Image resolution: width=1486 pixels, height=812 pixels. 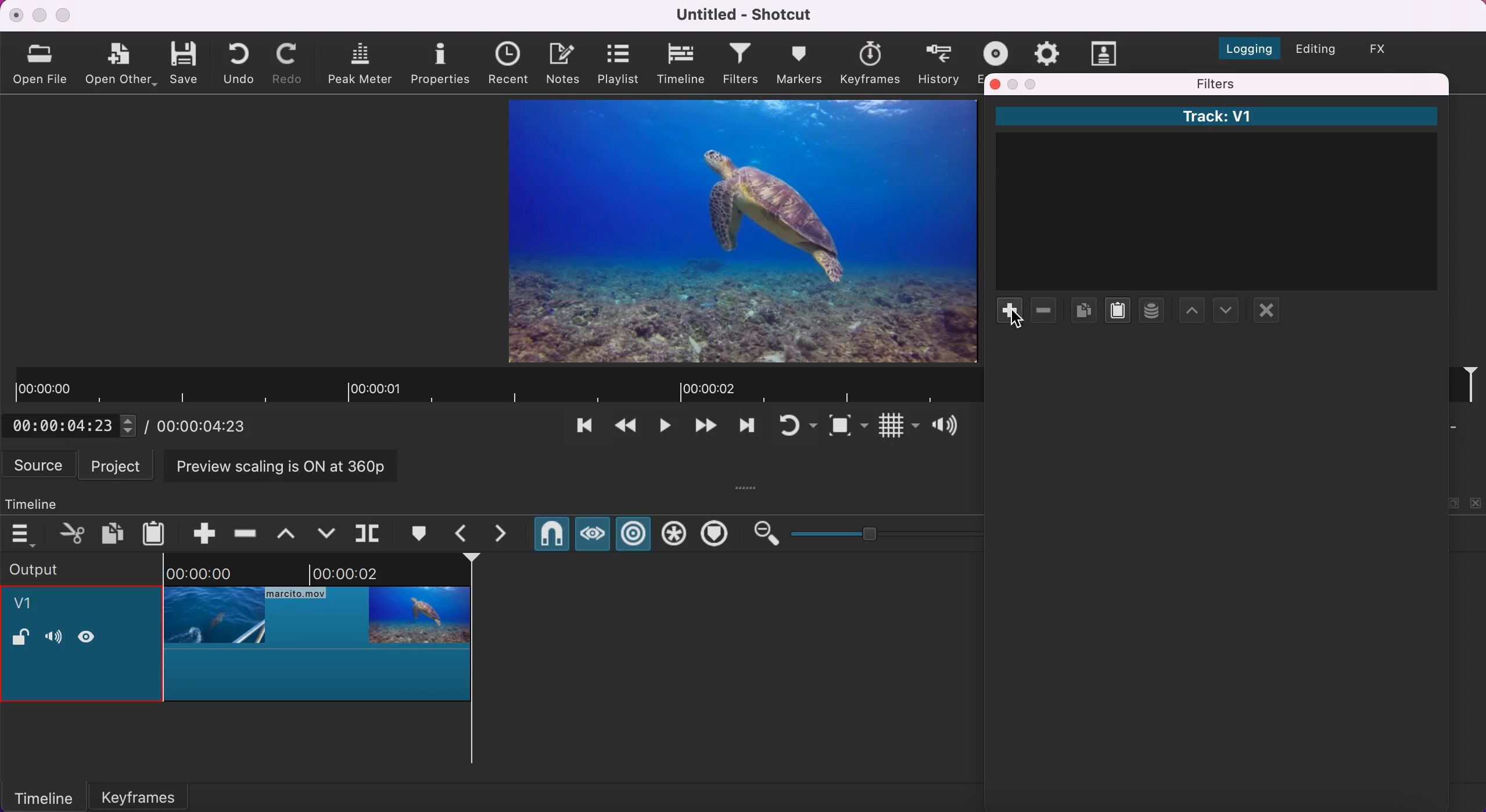 I want to click on zoom out, so click(x=765, y=534).